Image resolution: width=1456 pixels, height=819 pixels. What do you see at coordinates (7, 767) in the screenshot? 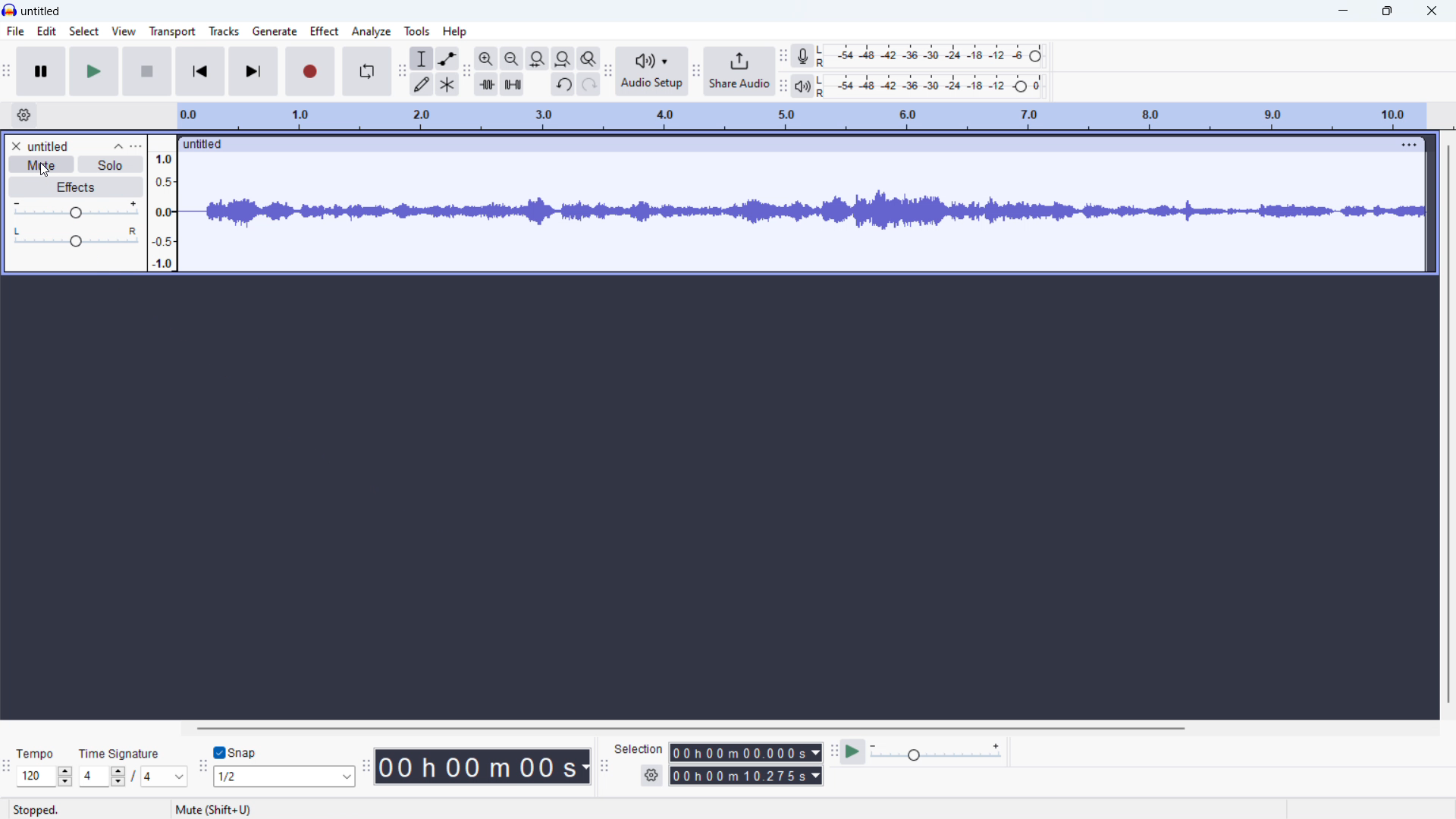
I see `time signature toolbar` at bounding box center [7, 767].